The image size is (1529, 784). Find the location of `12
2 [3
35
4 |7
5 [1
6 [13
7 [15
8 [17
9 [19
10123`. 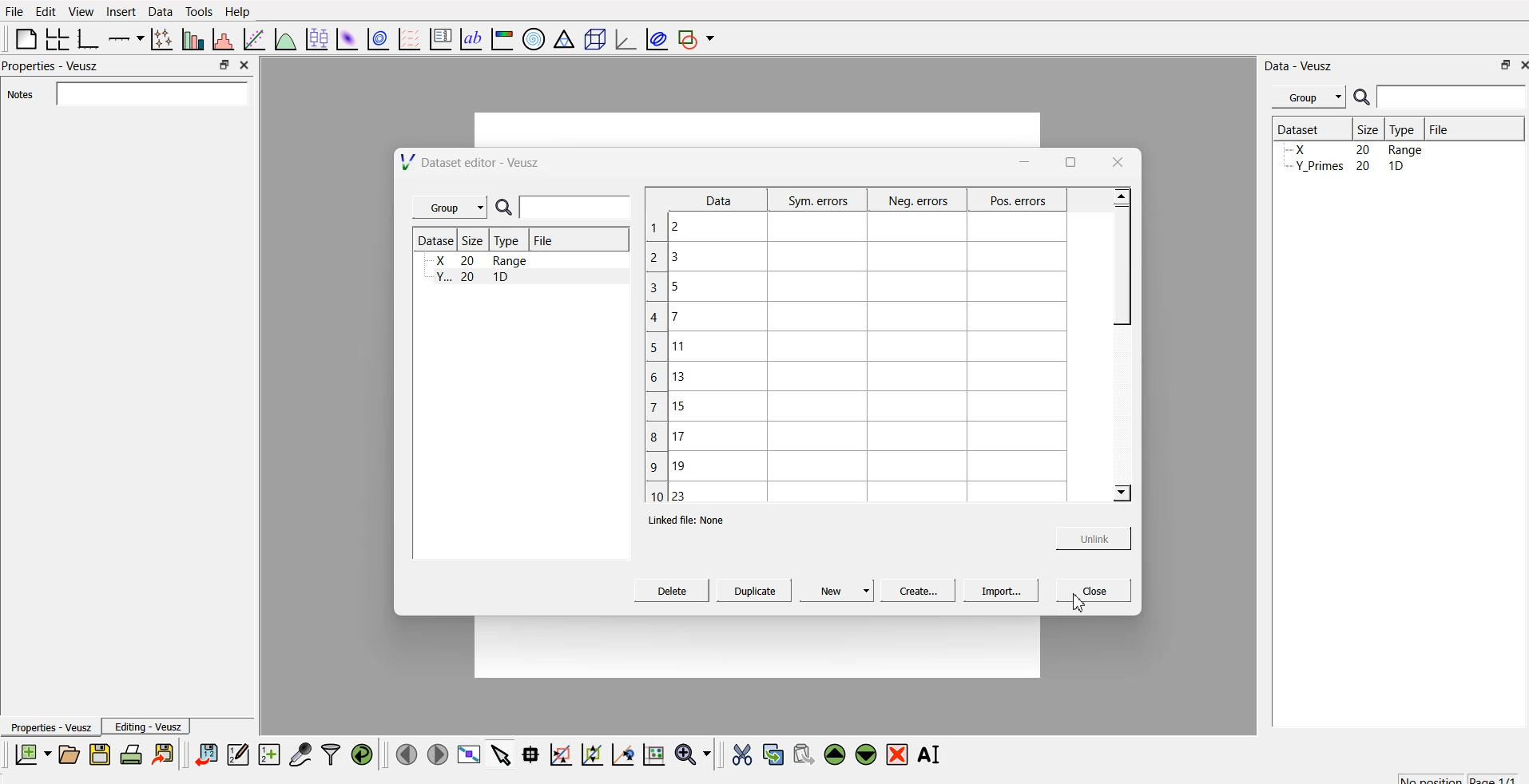

12
2 [3
35
4 |7
5 [1
6 [13
7 [15
8 [17
9 [19
10123 is located at coordinates (666, 358).